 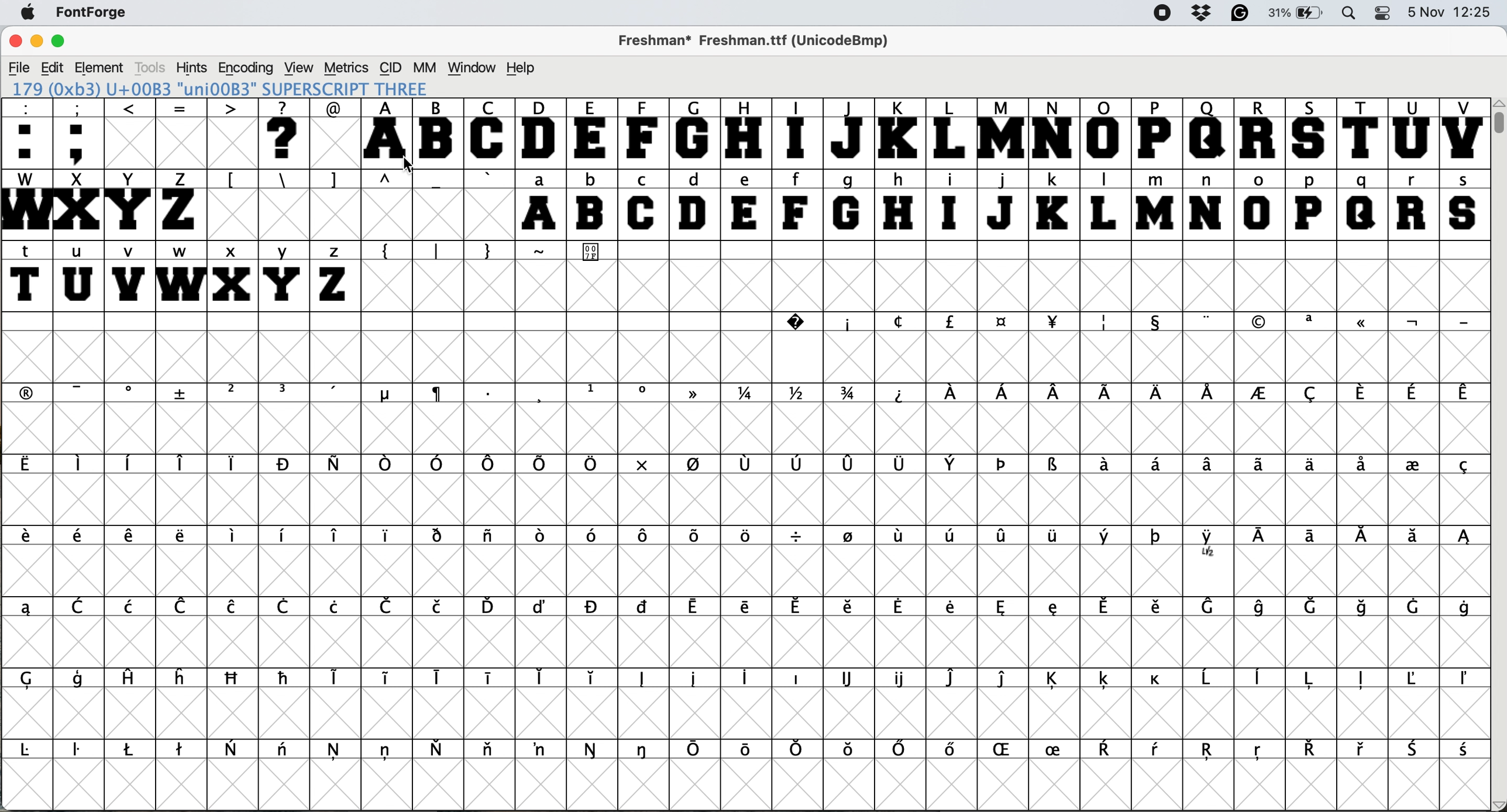 What do you see at coordinates (696, 204) in the screenshot?
I see `d` at bounding box center [696, 204].